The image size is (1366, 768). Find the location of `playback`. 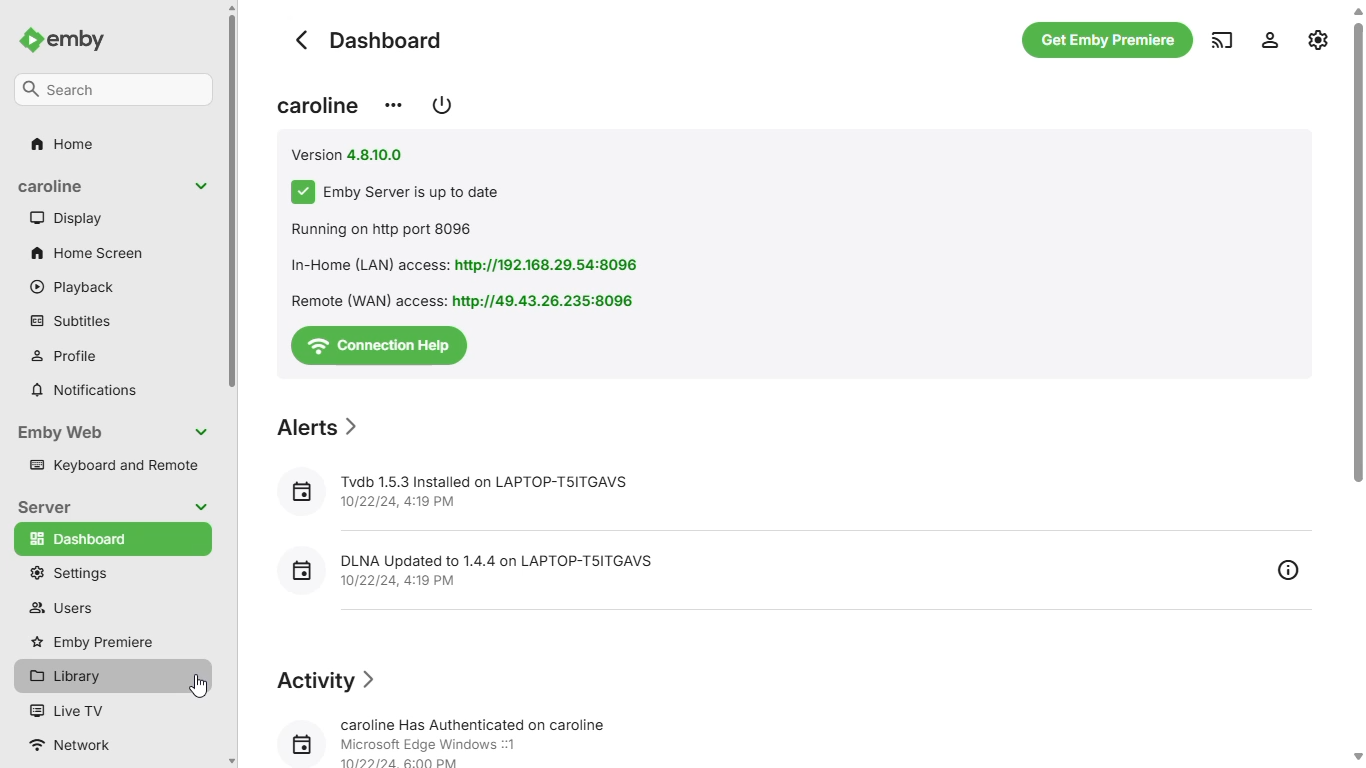

playback is located at coordinates (73, 288).